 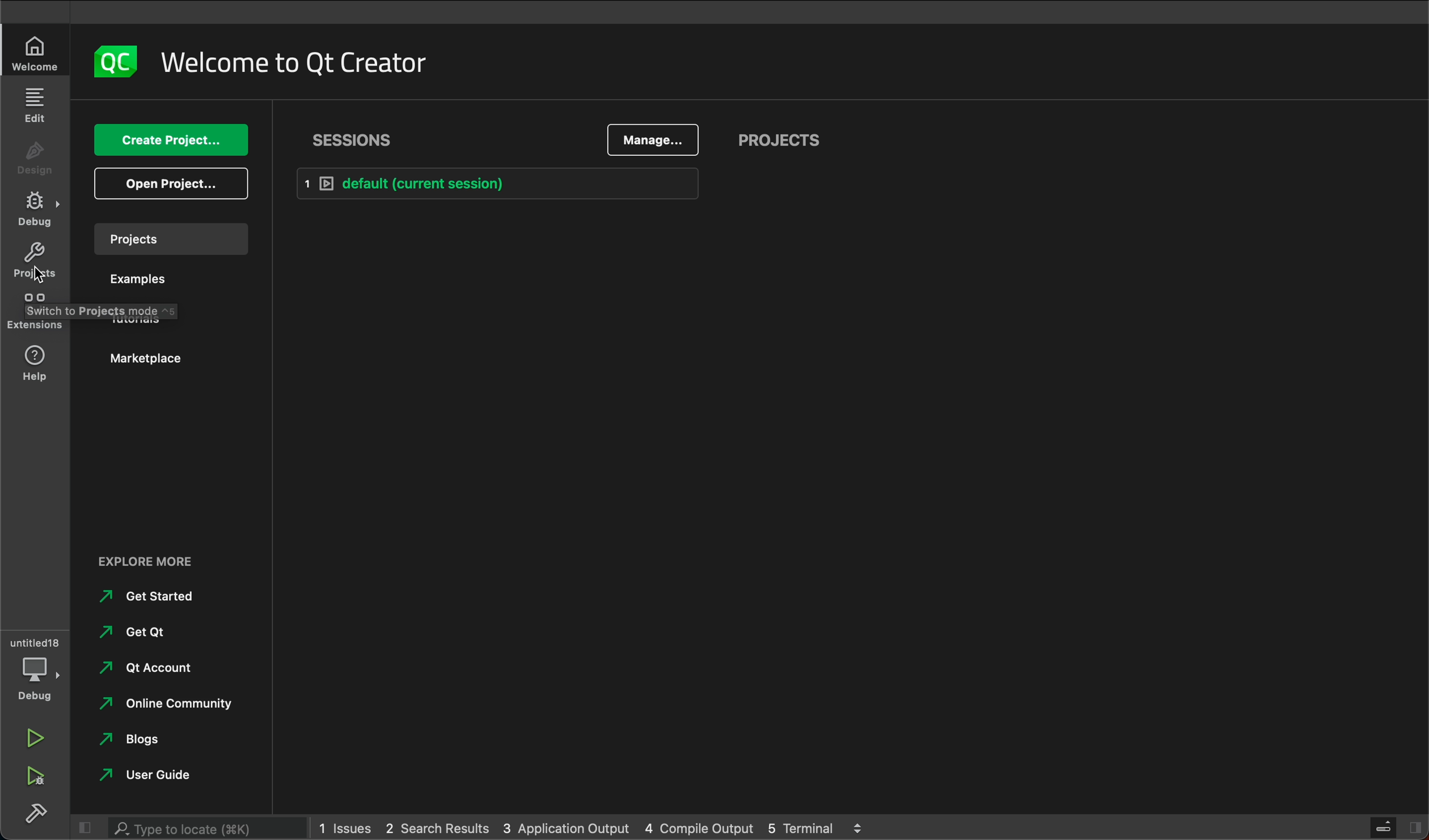 I want to click on marketplace, so click(x=142, y=357).